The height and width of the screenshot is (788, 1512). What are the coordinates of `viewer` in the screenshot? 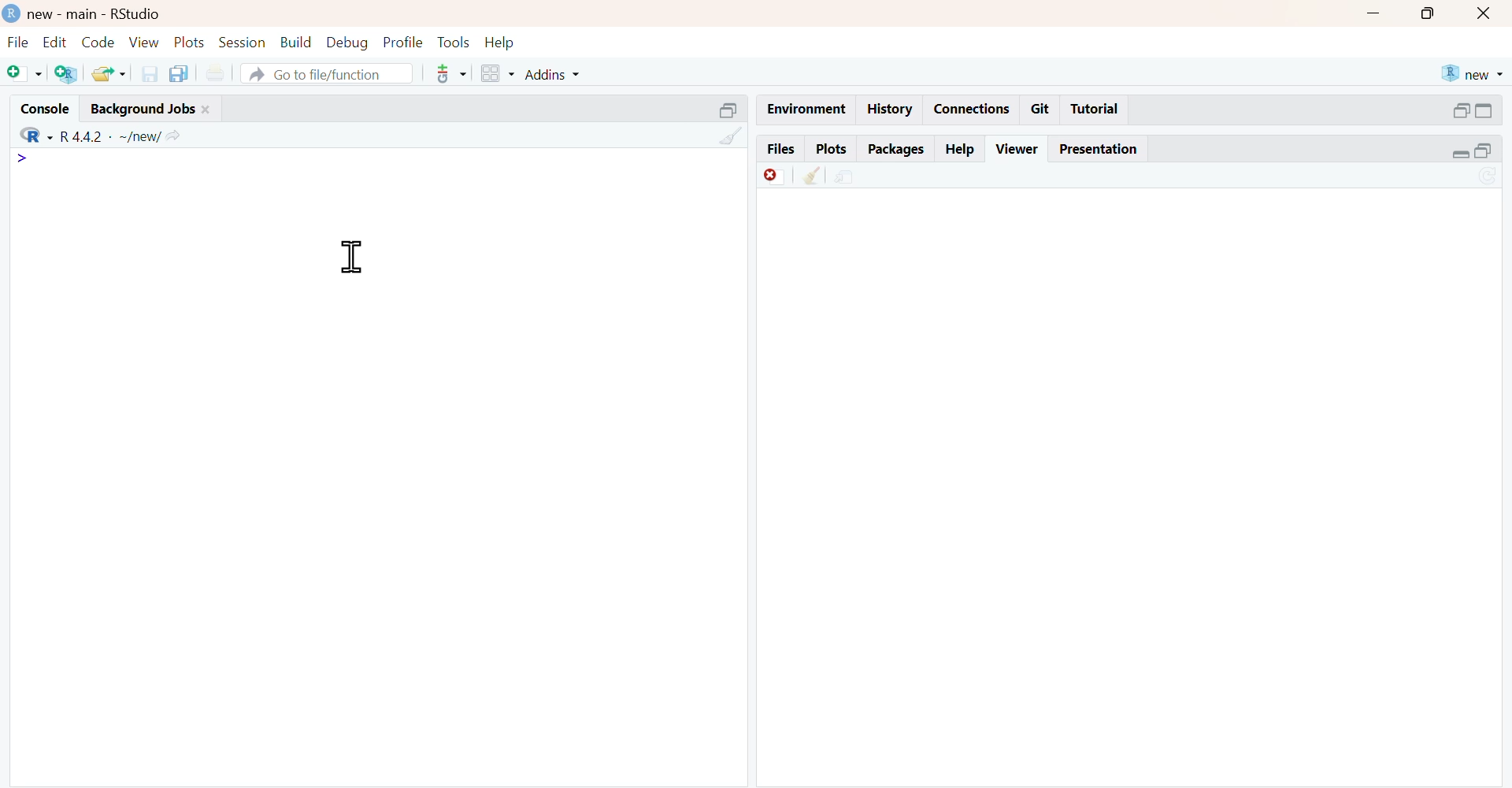 It's located at (1017, 149).